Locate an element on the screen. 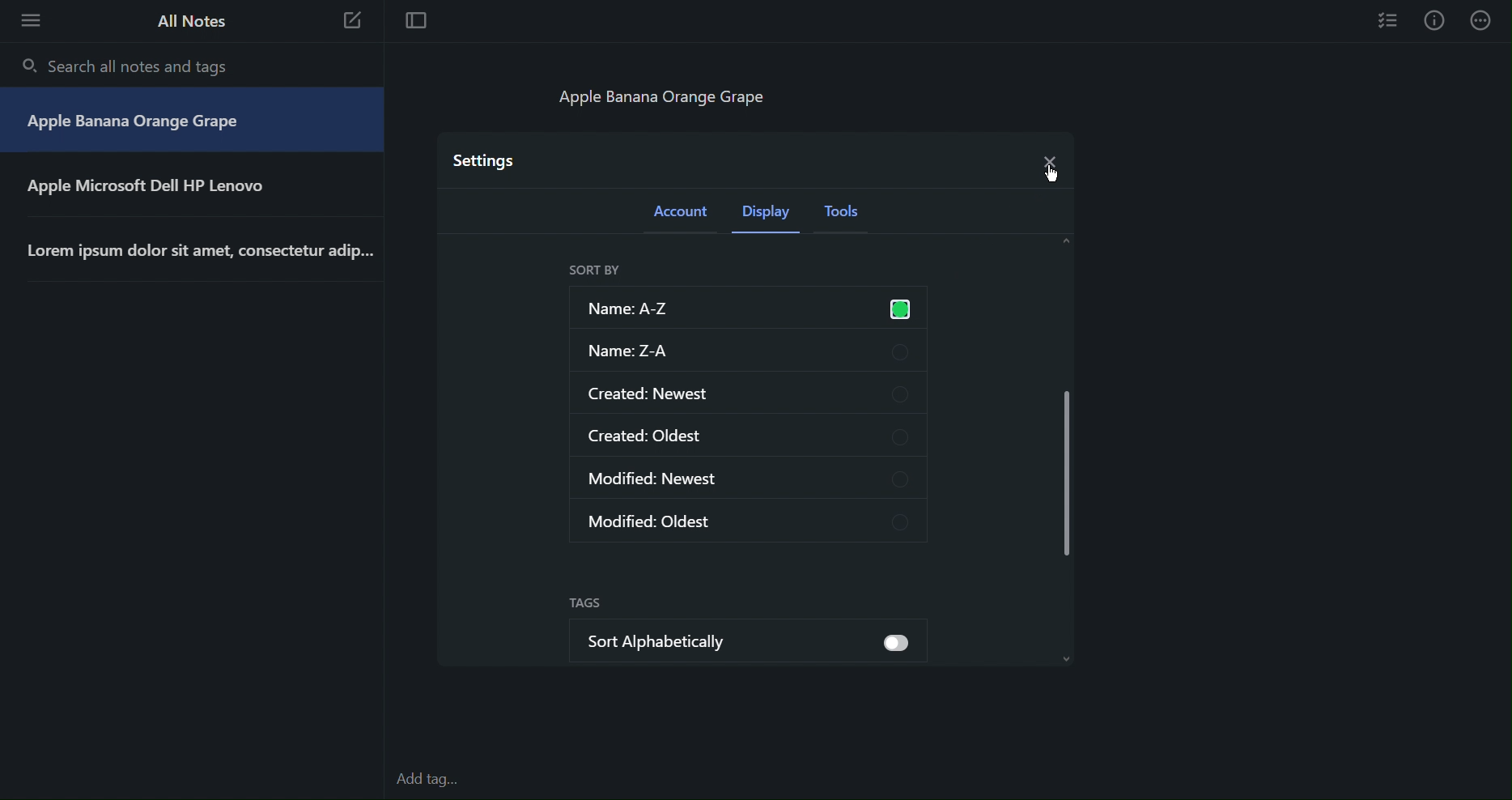  scroll down is located at coordinates (1073, 662).